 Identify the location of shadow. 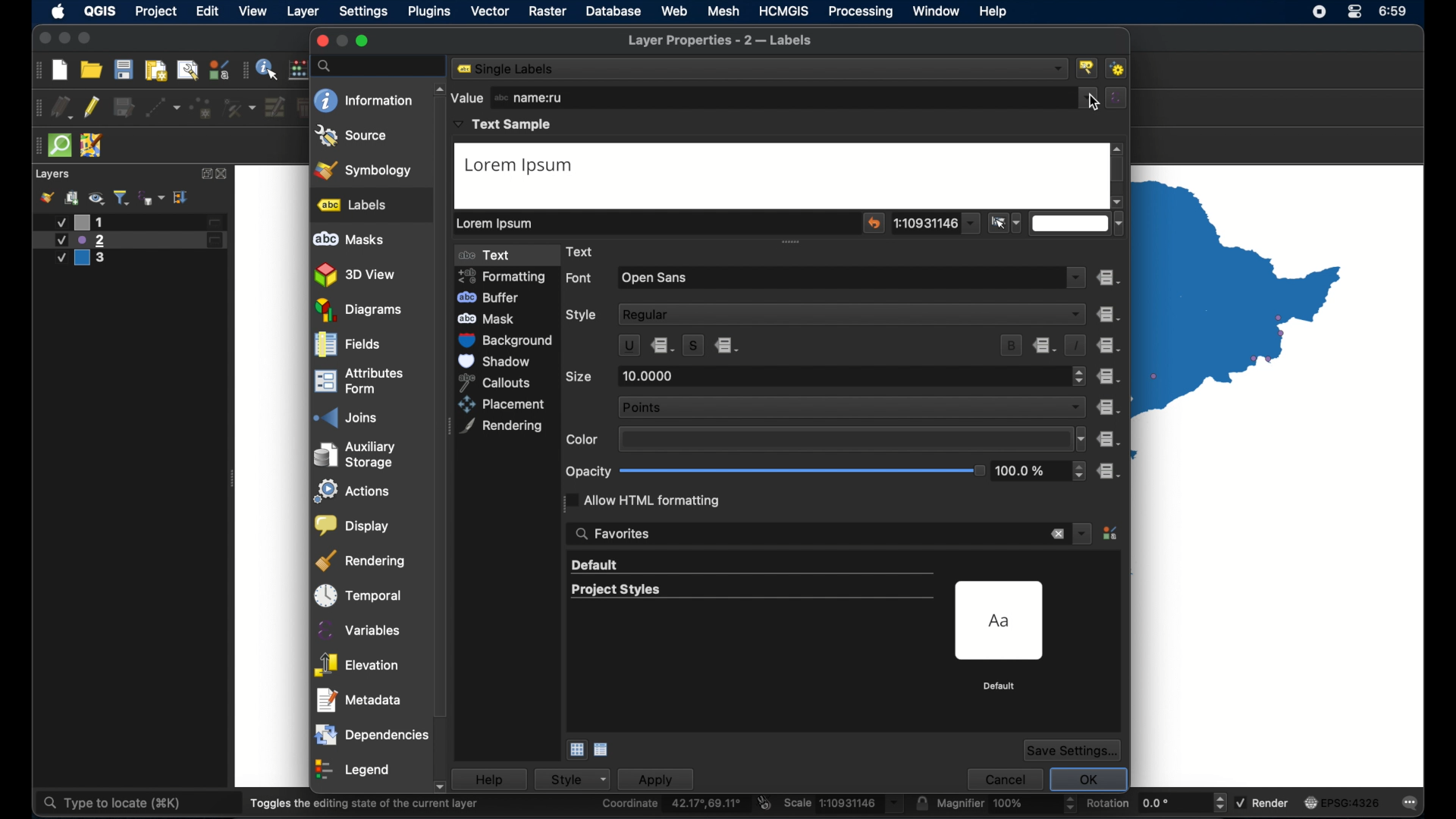
(497, 361).